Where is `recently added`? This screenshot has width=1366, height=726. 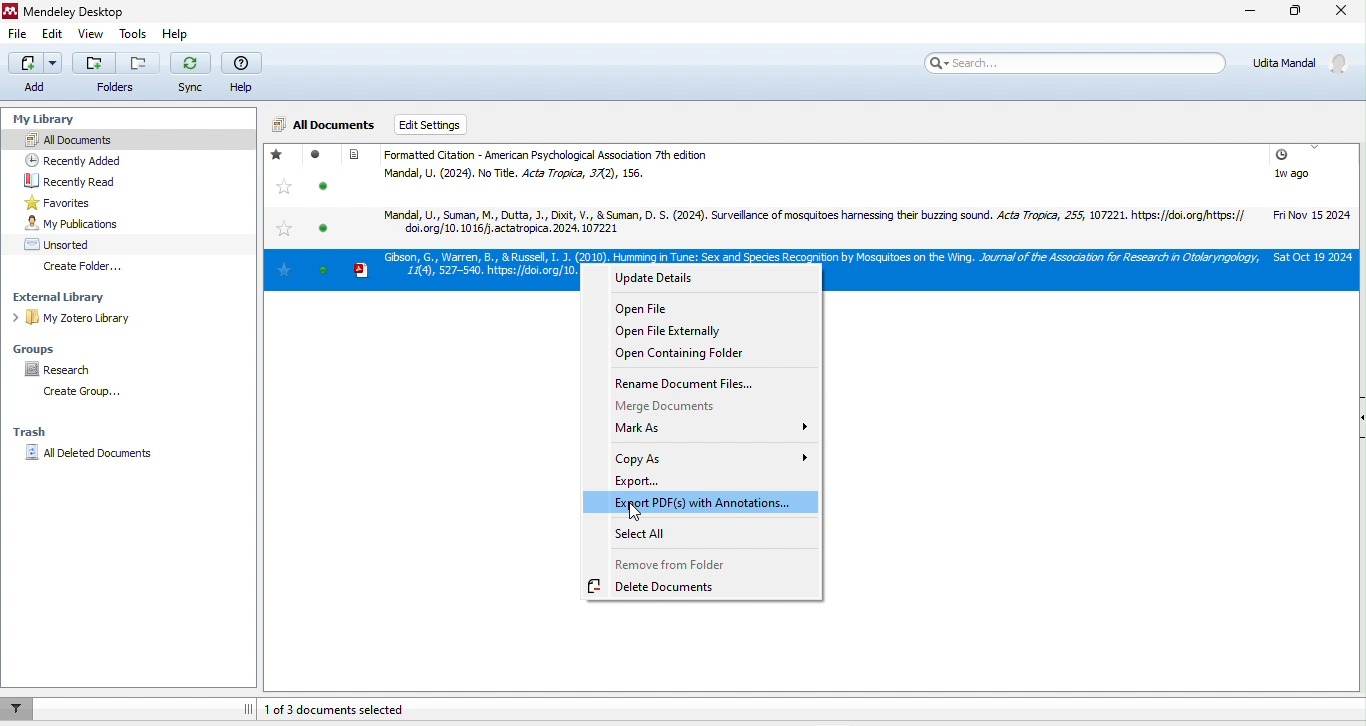
recently added is located at coordinates (86, 158).